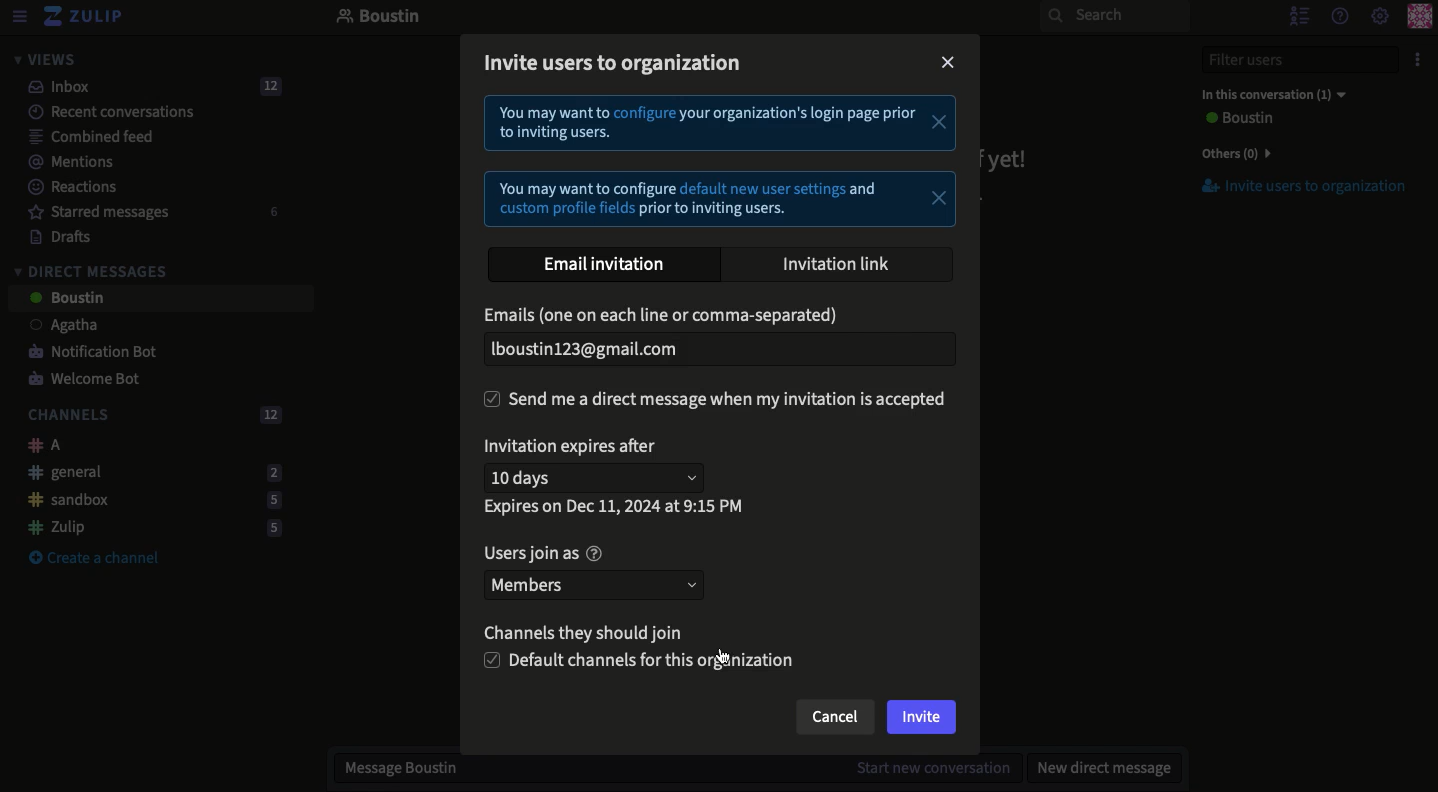 The image size is (1438, 792). I want to click on View menu, so click(18, 17).